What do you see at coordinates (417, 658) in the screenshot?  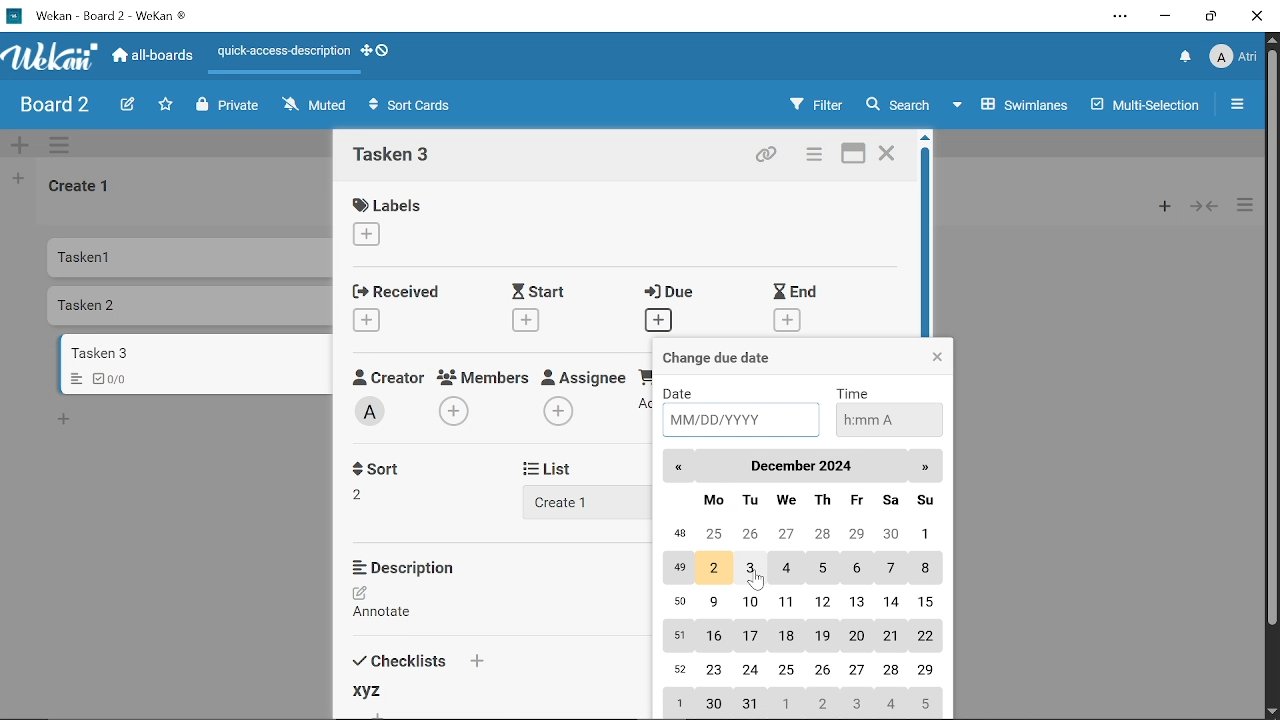 I see `Checklists` at bounding box center [417, 658].